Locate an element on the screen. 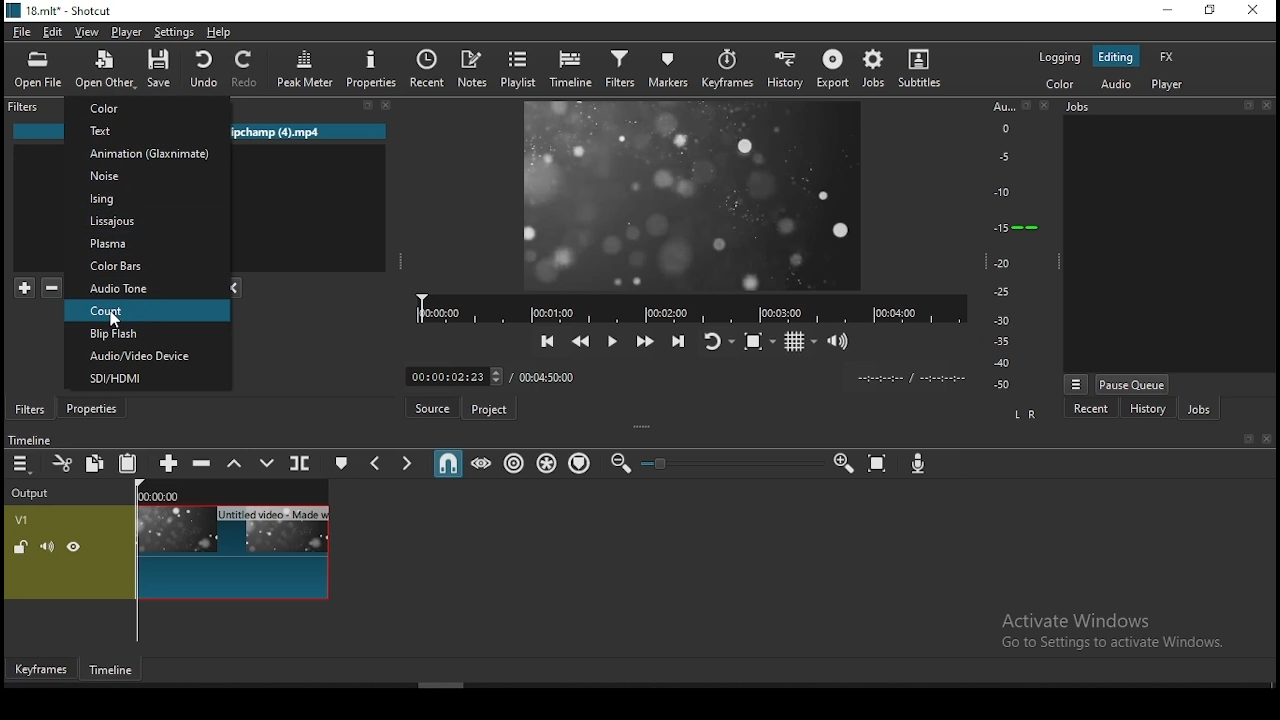  previous marker is located at coordinates (377, 462).